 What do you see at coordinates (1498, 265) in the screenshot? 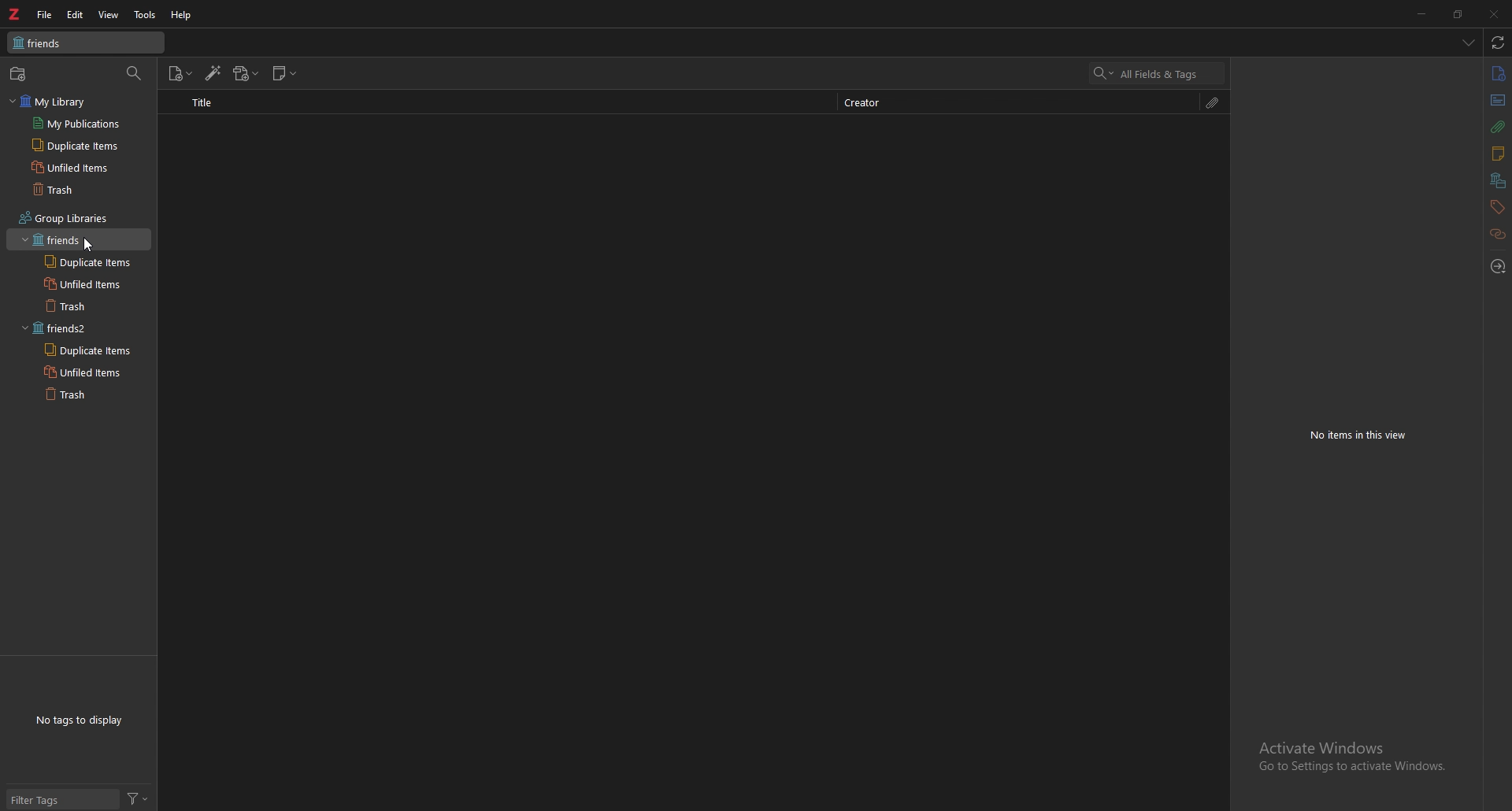
I see `locate` at bounding box center [1498, 265].